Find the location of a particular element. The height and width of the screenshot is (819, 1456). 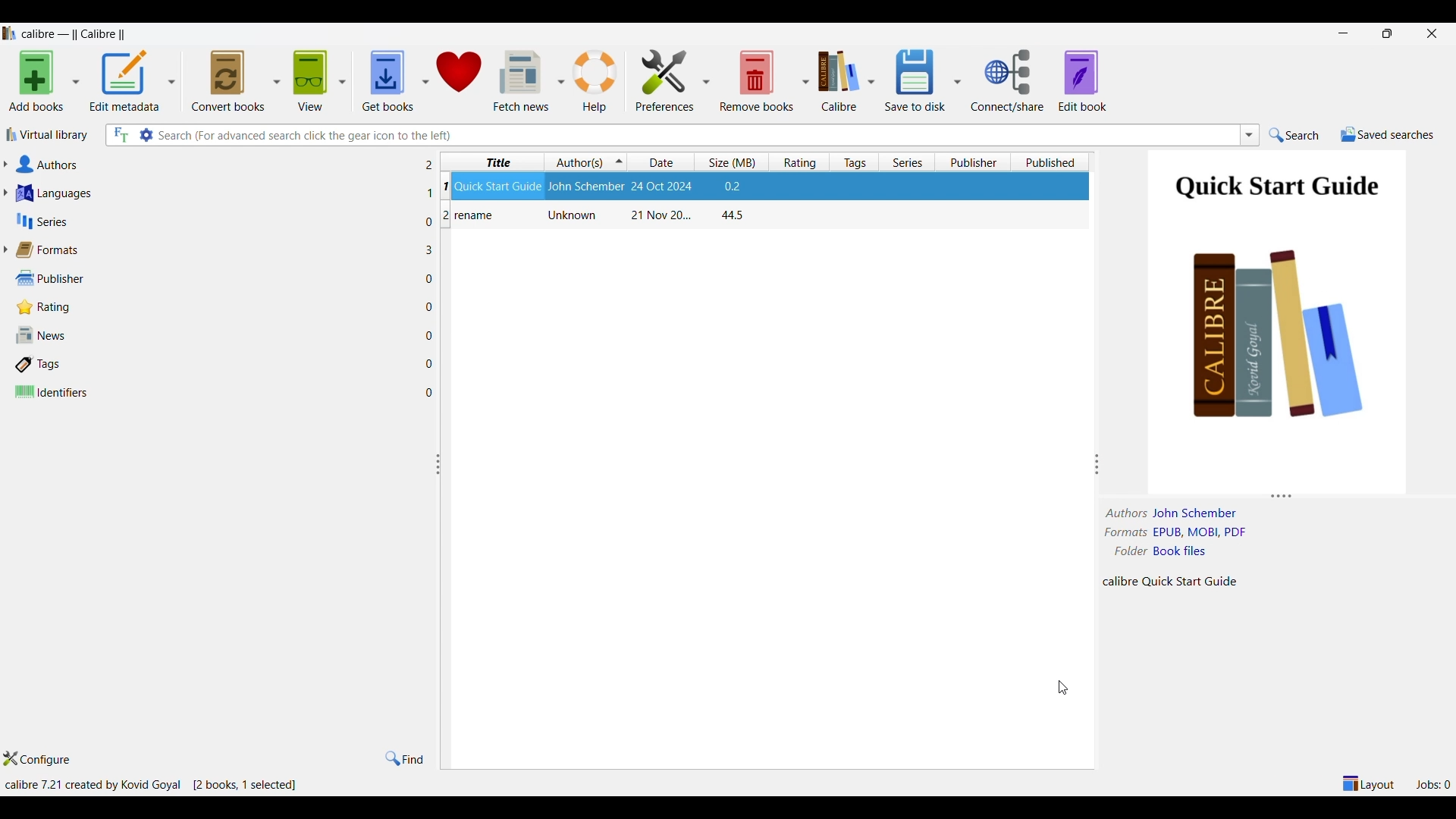

Book: rename is located at coordinates (597, 217).